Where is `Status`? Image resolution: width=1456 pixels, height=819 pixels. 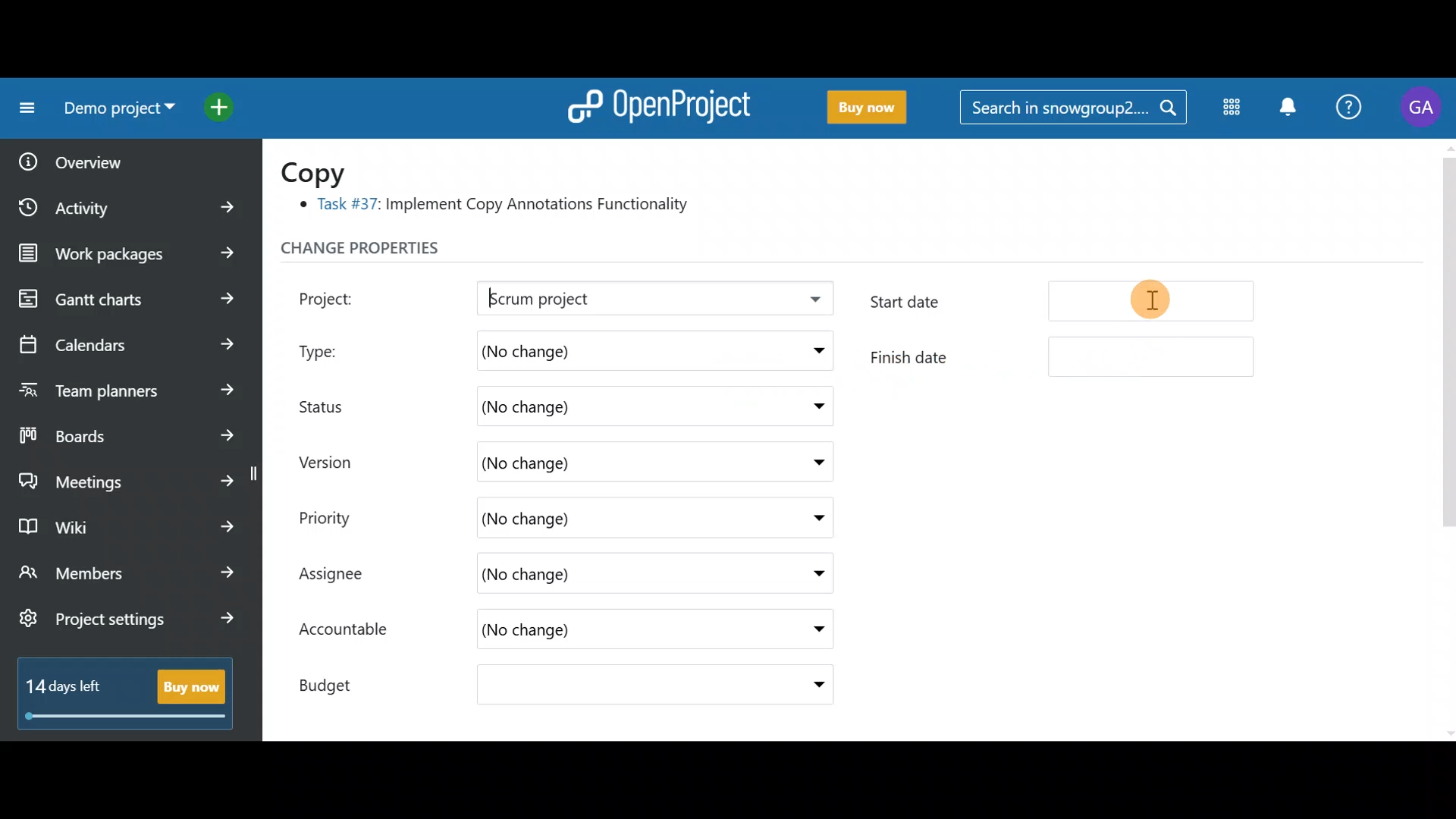 Status is located at coordinates (334, 404).